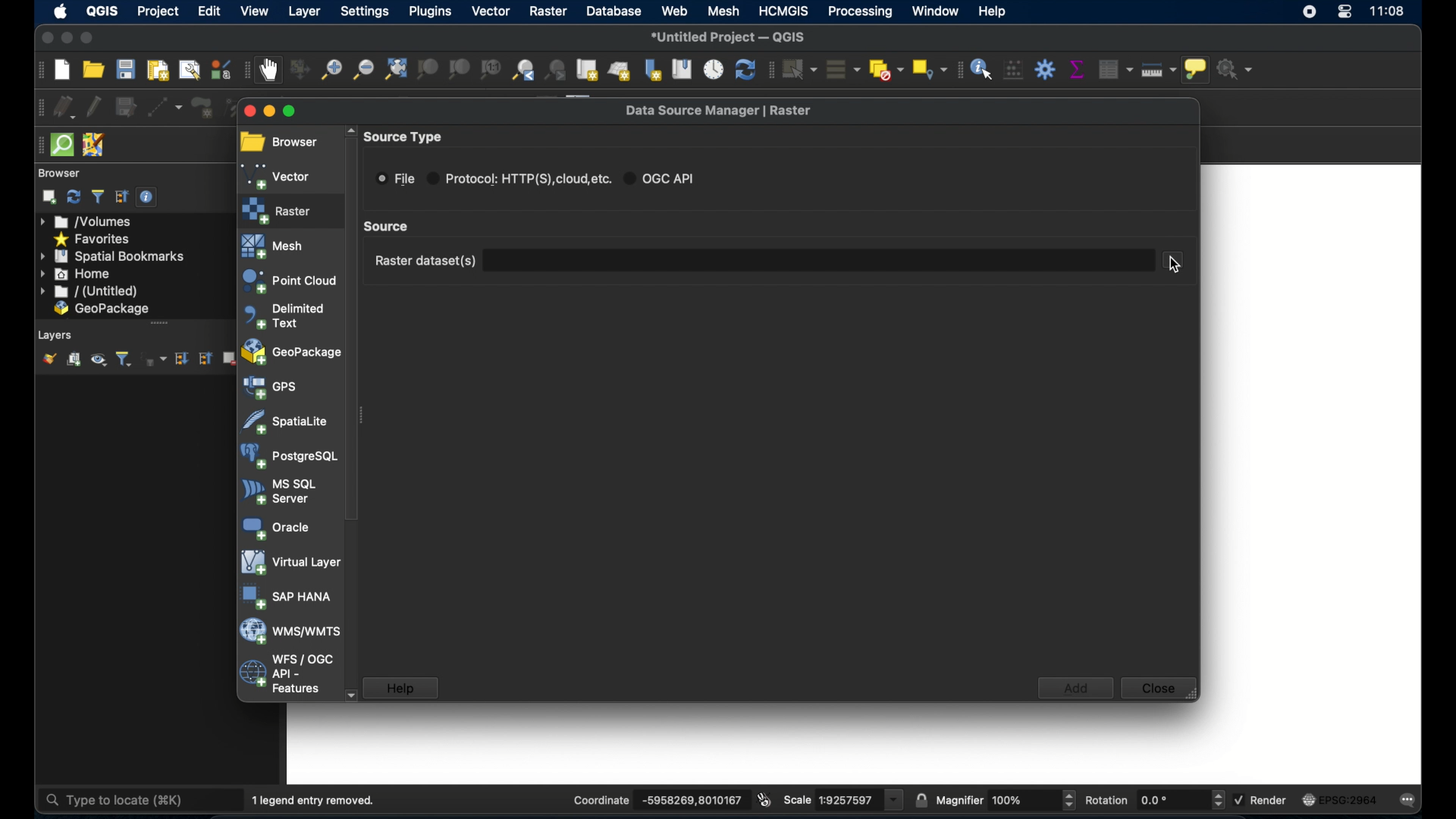  I want to click on show statistical summary, so click(1076, 69).